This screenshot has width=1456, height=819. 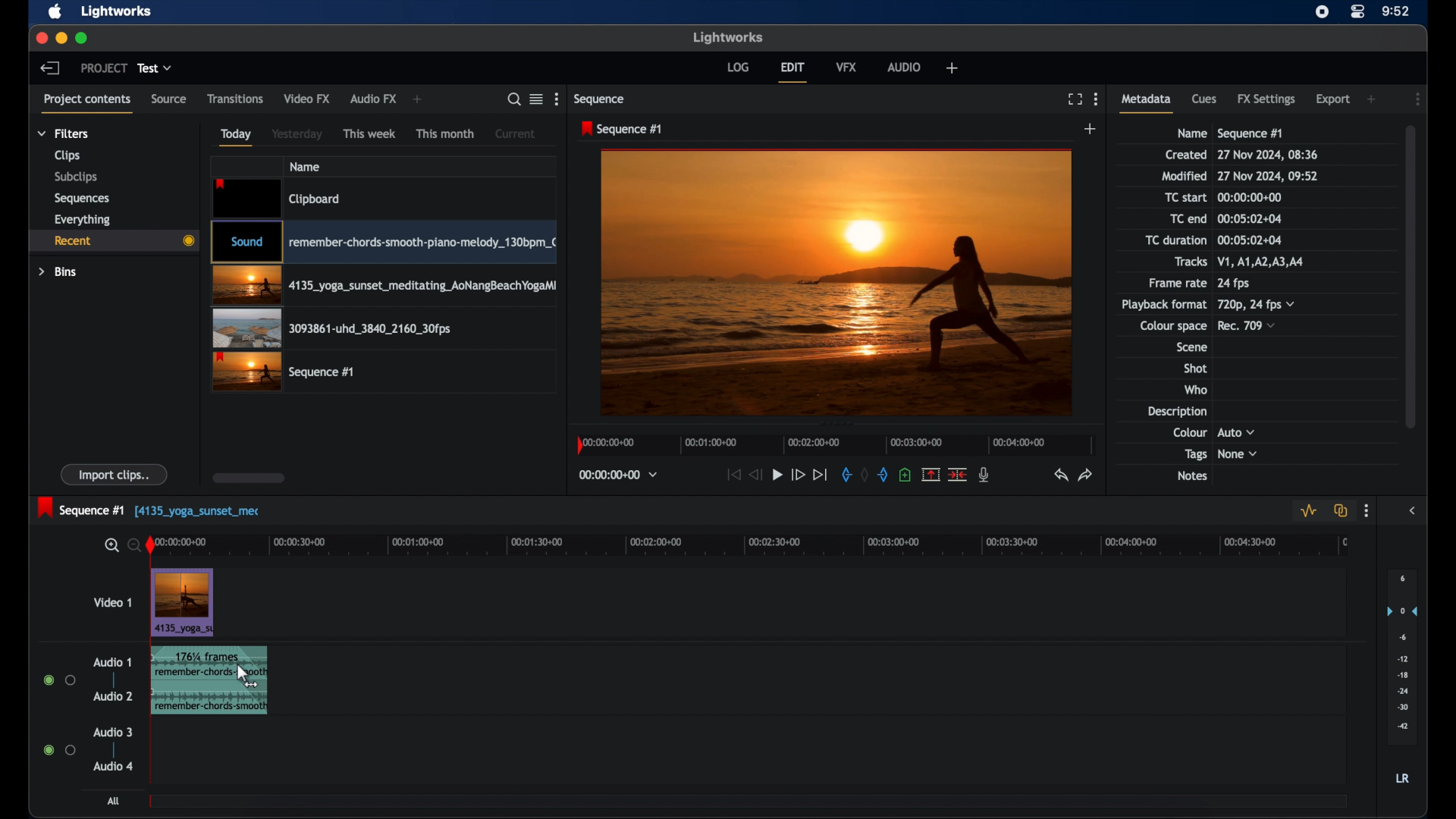 I want to click on redo, so click(x=1086, y=474).